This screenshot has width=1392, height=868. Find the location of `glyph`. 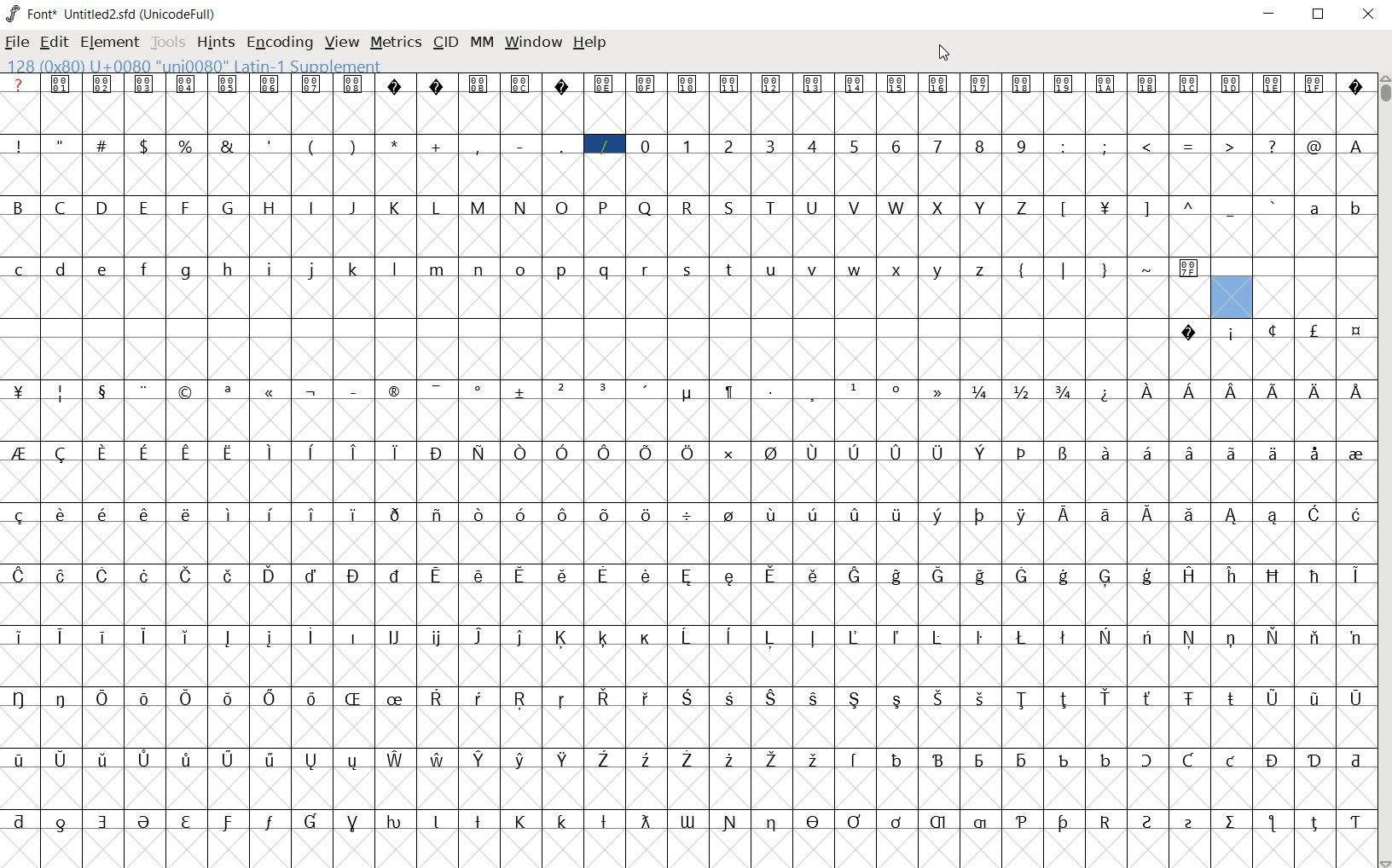

glyph is located at coordinates (1356, 147).